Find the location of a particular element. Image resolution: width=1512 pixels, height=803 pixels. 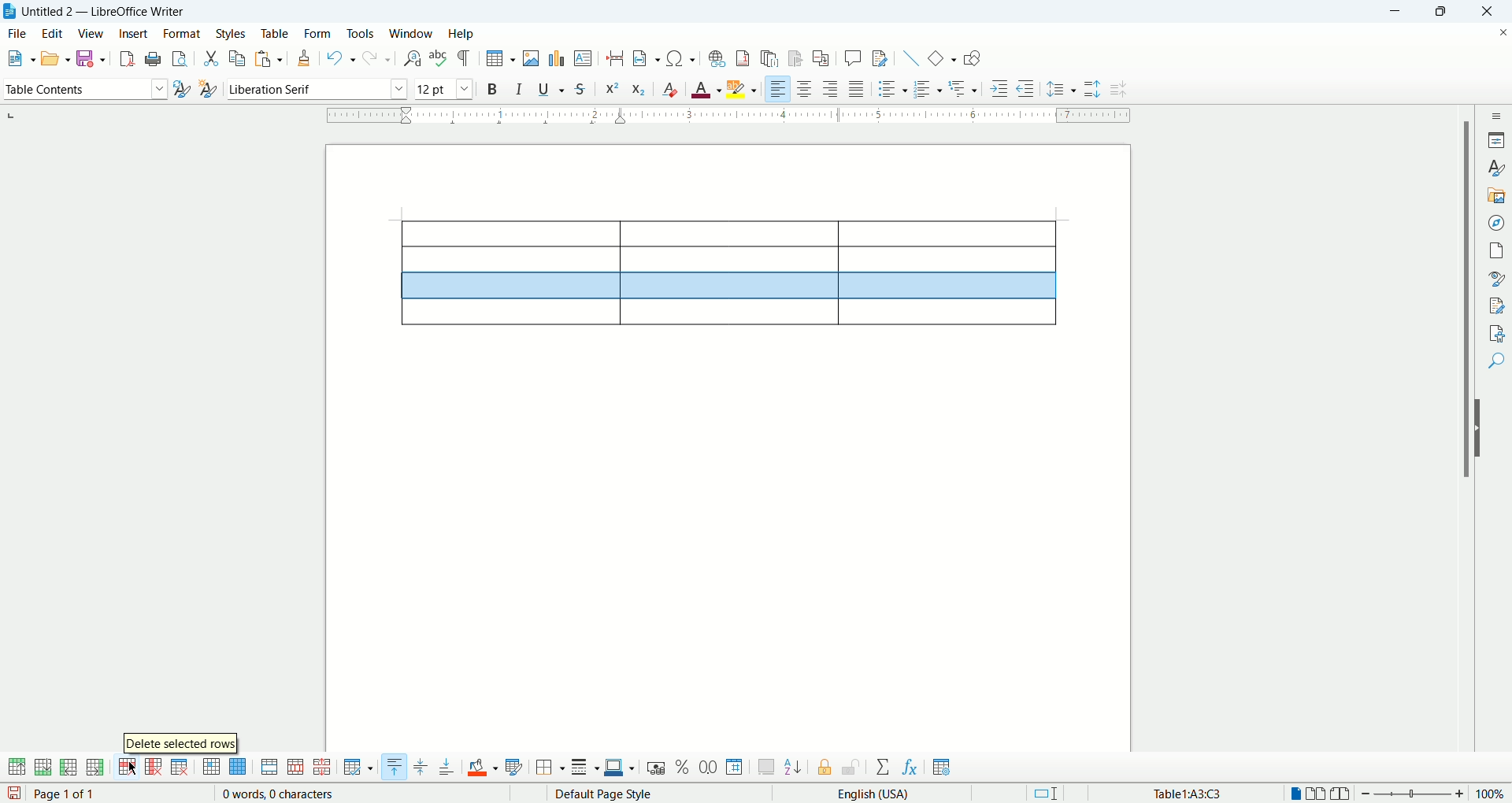

open is located at coordinates (56, 60).